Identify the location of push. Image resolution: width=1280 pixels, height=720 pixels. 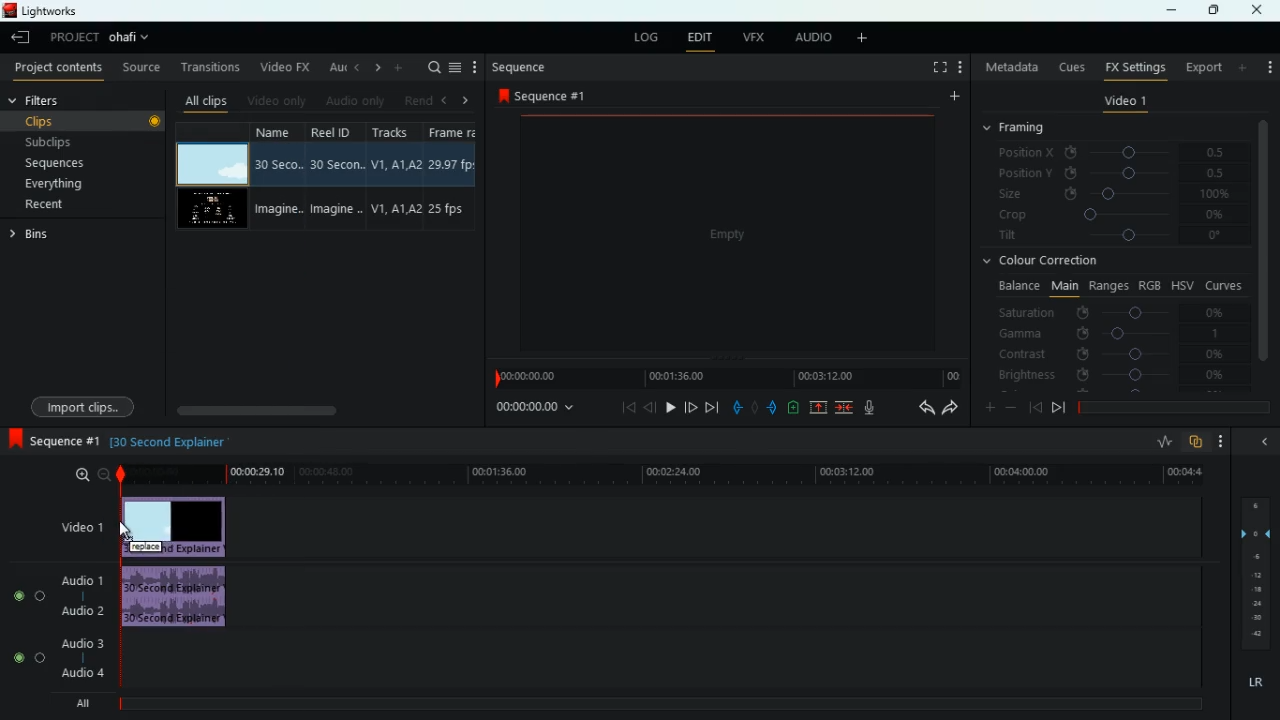
(773, 407).